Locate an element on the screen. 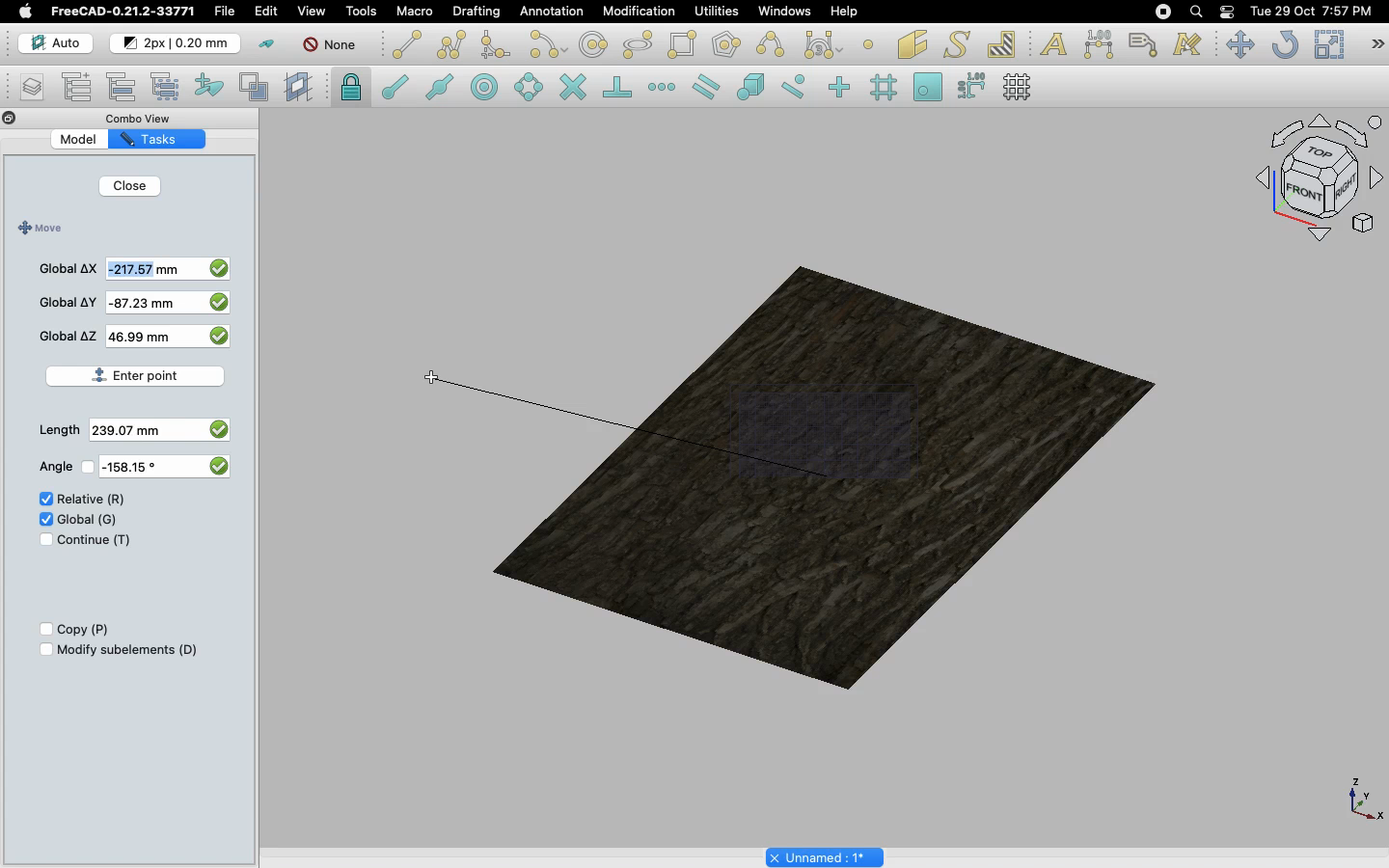 The width and height of the screenshot is (1389, 868). Rectangle is located at coordinates (686, 45).